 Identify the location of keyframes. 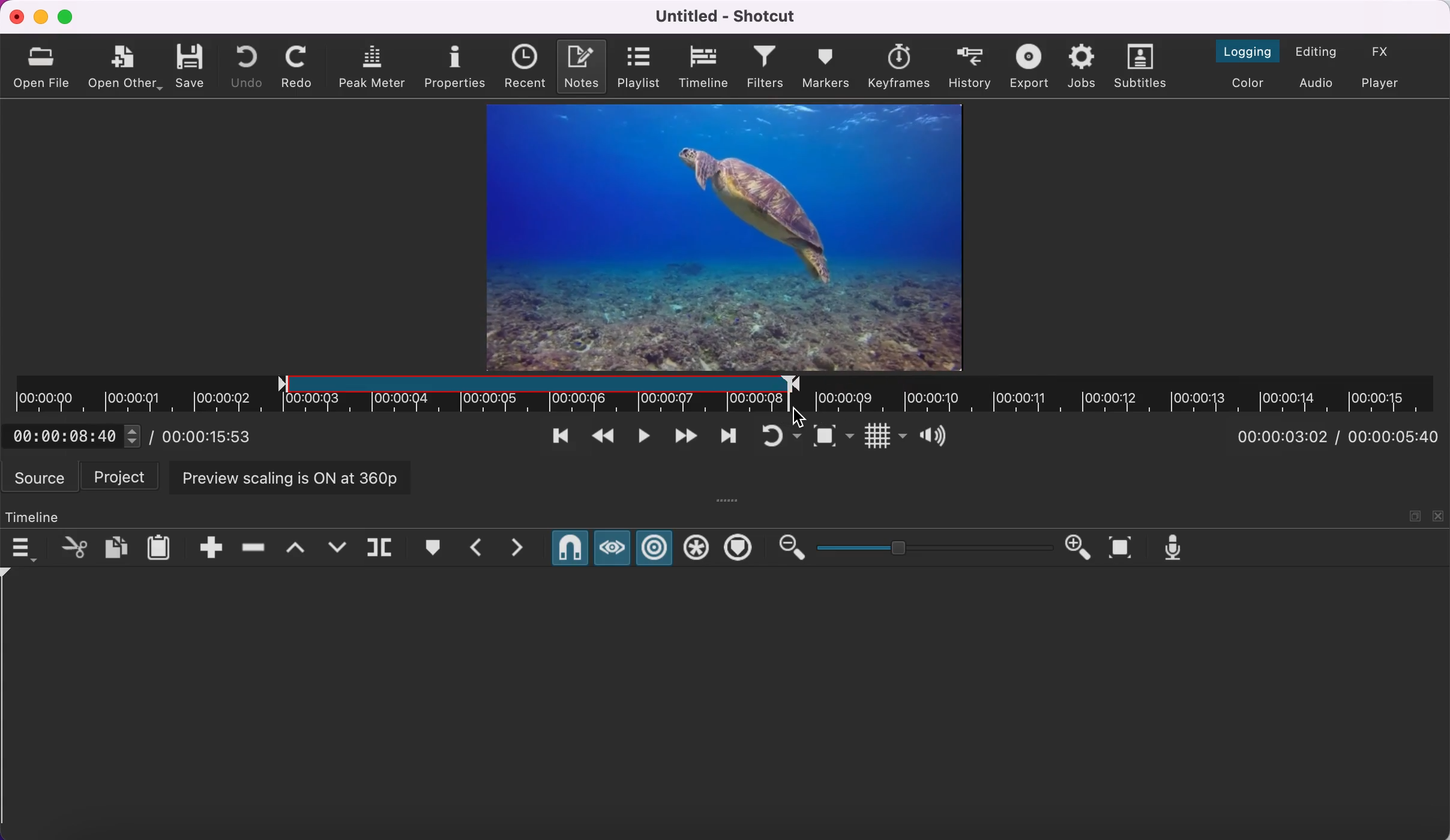
(901, 65).